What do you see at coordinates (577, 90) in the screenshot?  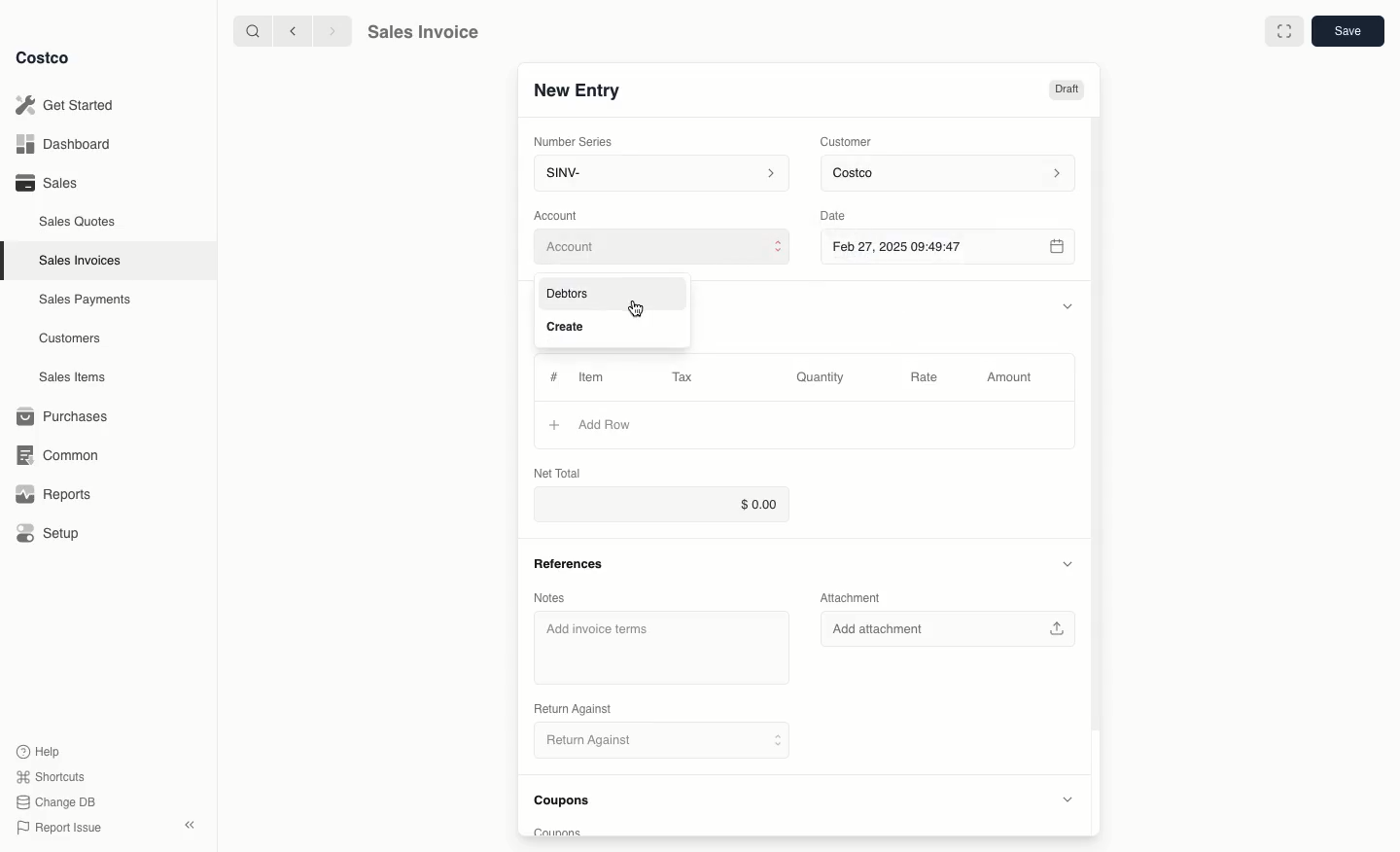 I see `New Entry` at bounding box center [577, 90].